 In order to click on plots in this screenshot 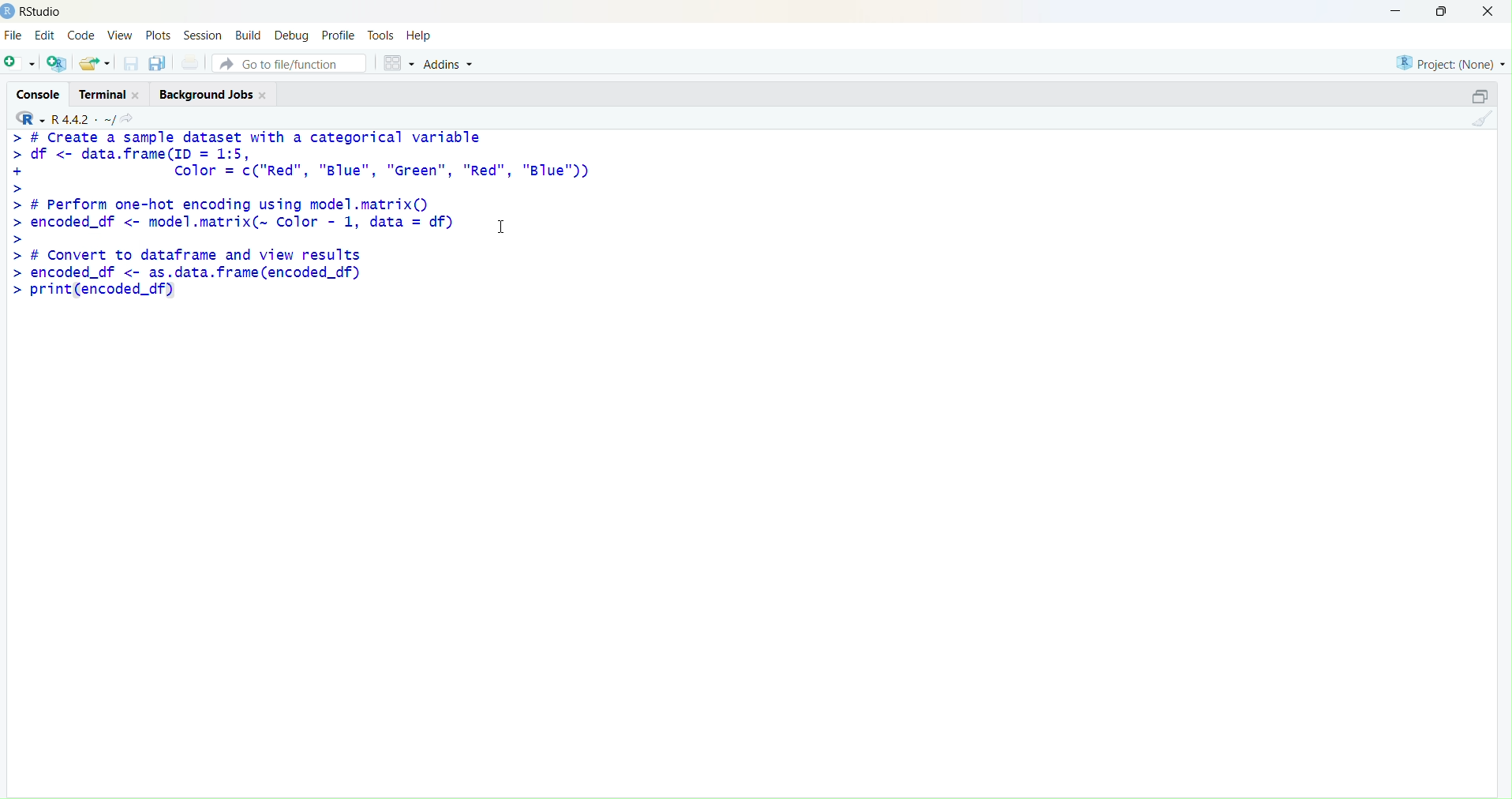, I will do `click(158, 36)`.